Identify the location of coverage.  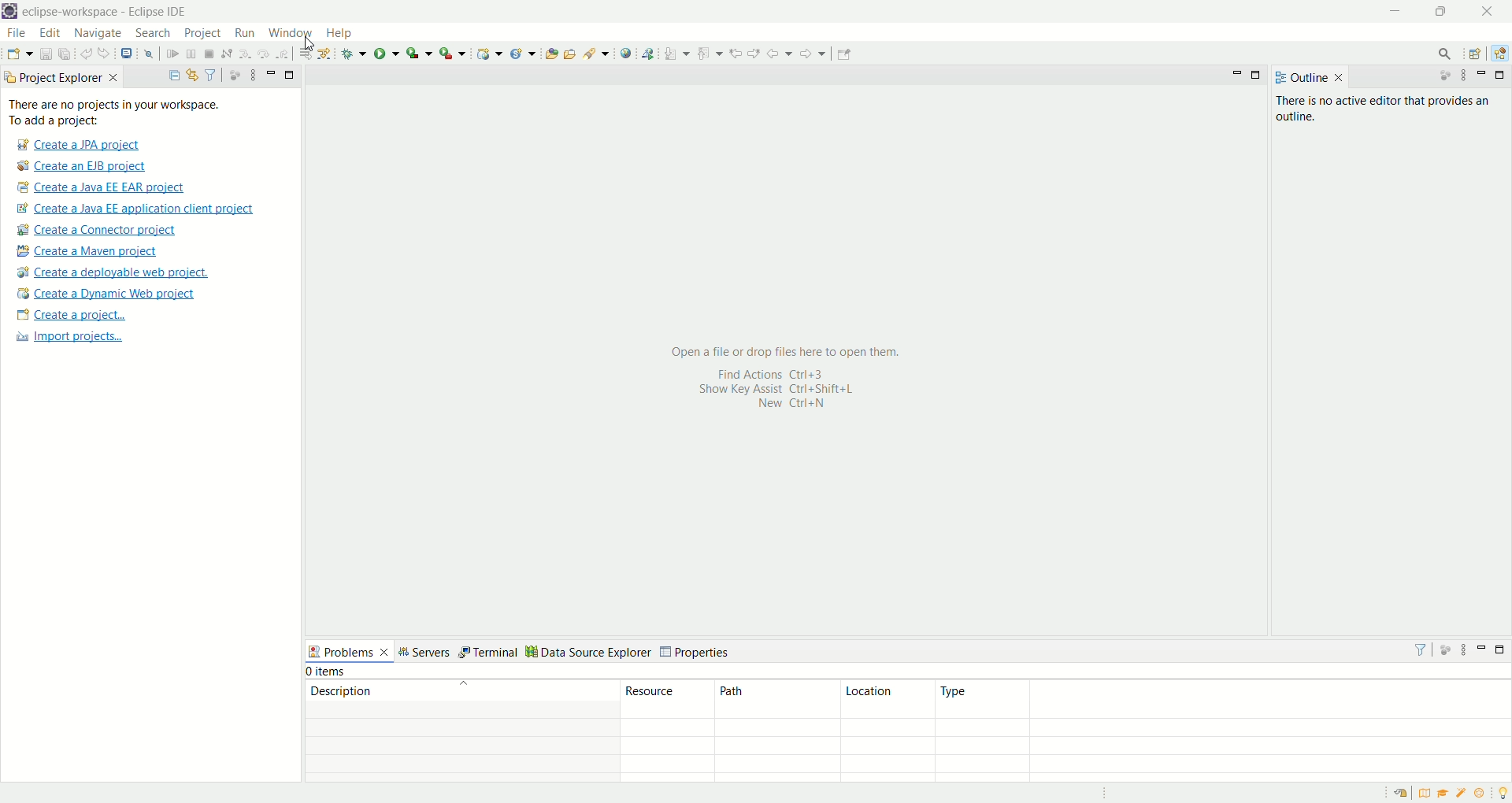
(418, 53).